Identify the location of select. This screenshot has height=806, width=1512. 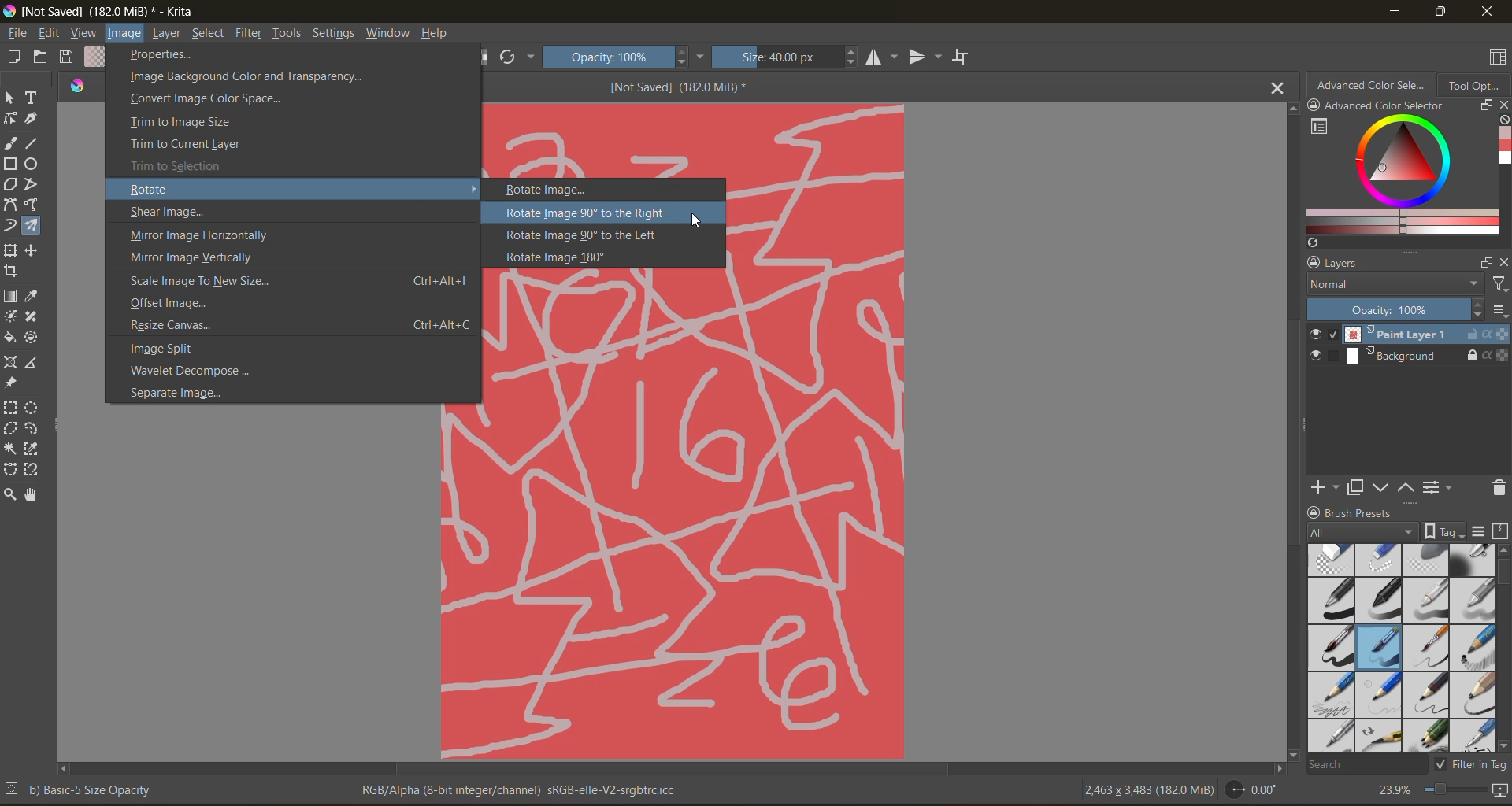
(209, 34).